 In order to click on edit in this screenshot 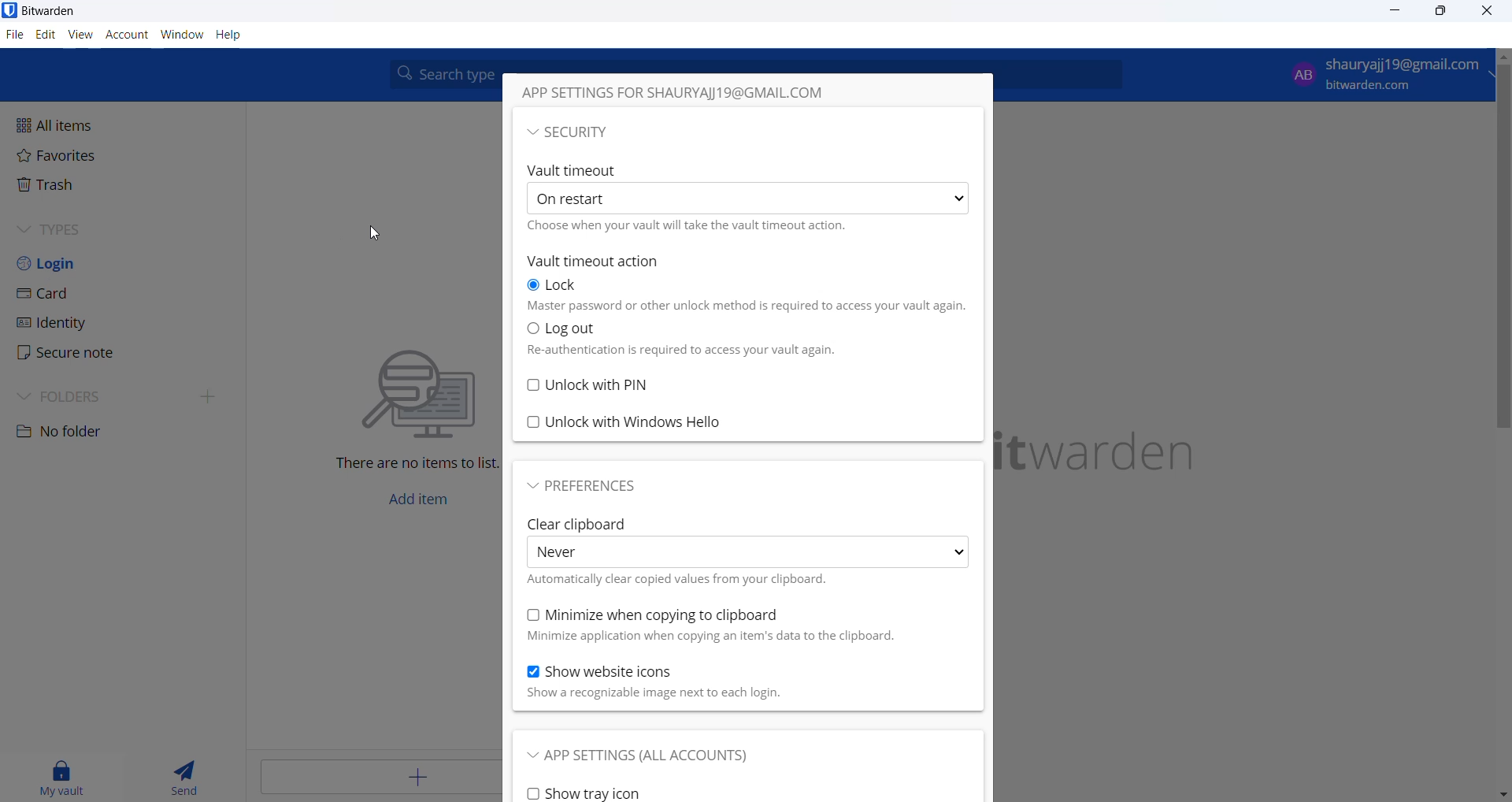, I will do `click(44, 35)`.